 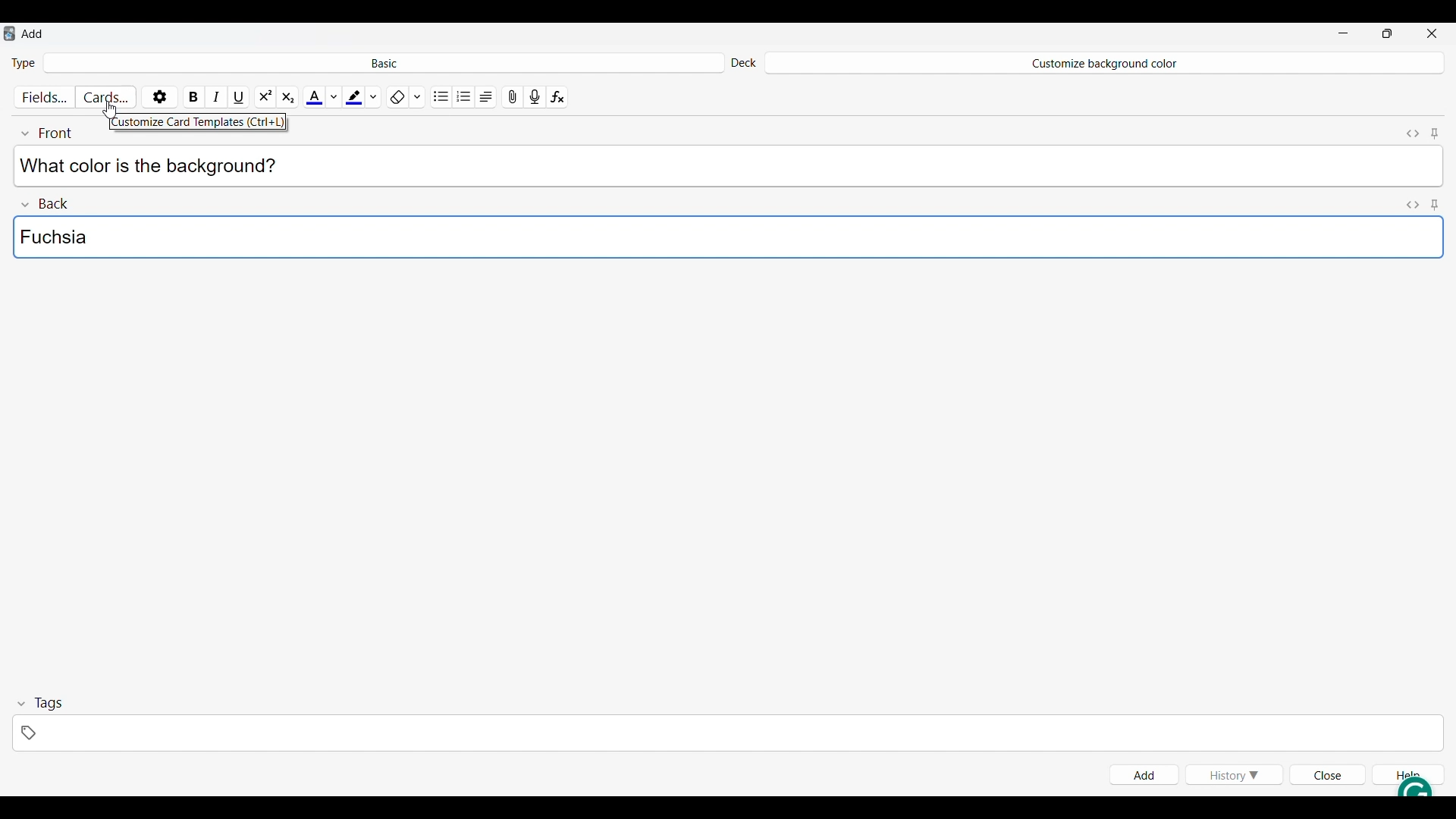 What do you see at coordinates (1329, 775) in the screenshot?
I see `` at bounding box center [1329, 775].